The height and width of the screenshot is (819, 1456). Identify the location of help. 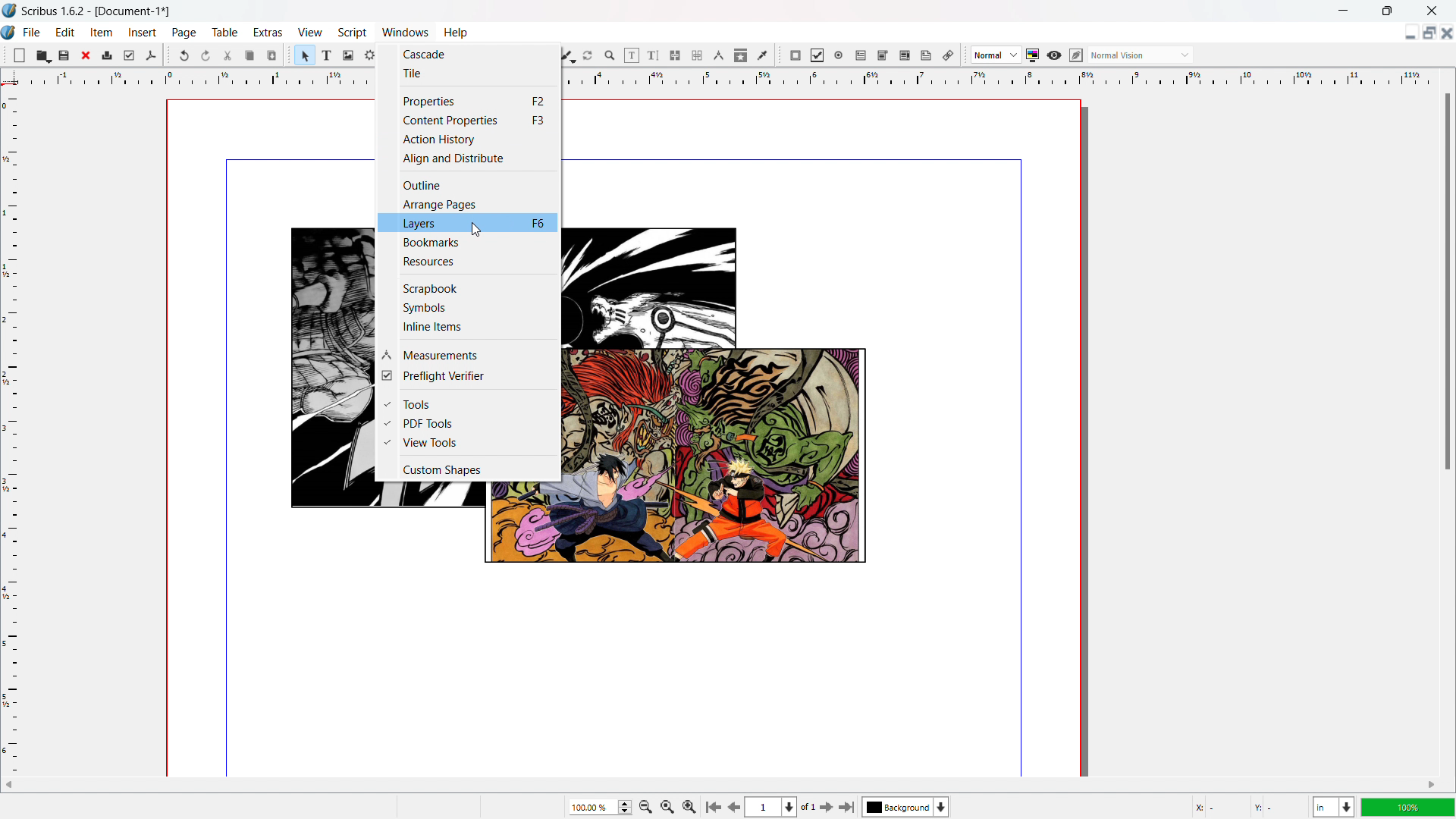
(455, 33).